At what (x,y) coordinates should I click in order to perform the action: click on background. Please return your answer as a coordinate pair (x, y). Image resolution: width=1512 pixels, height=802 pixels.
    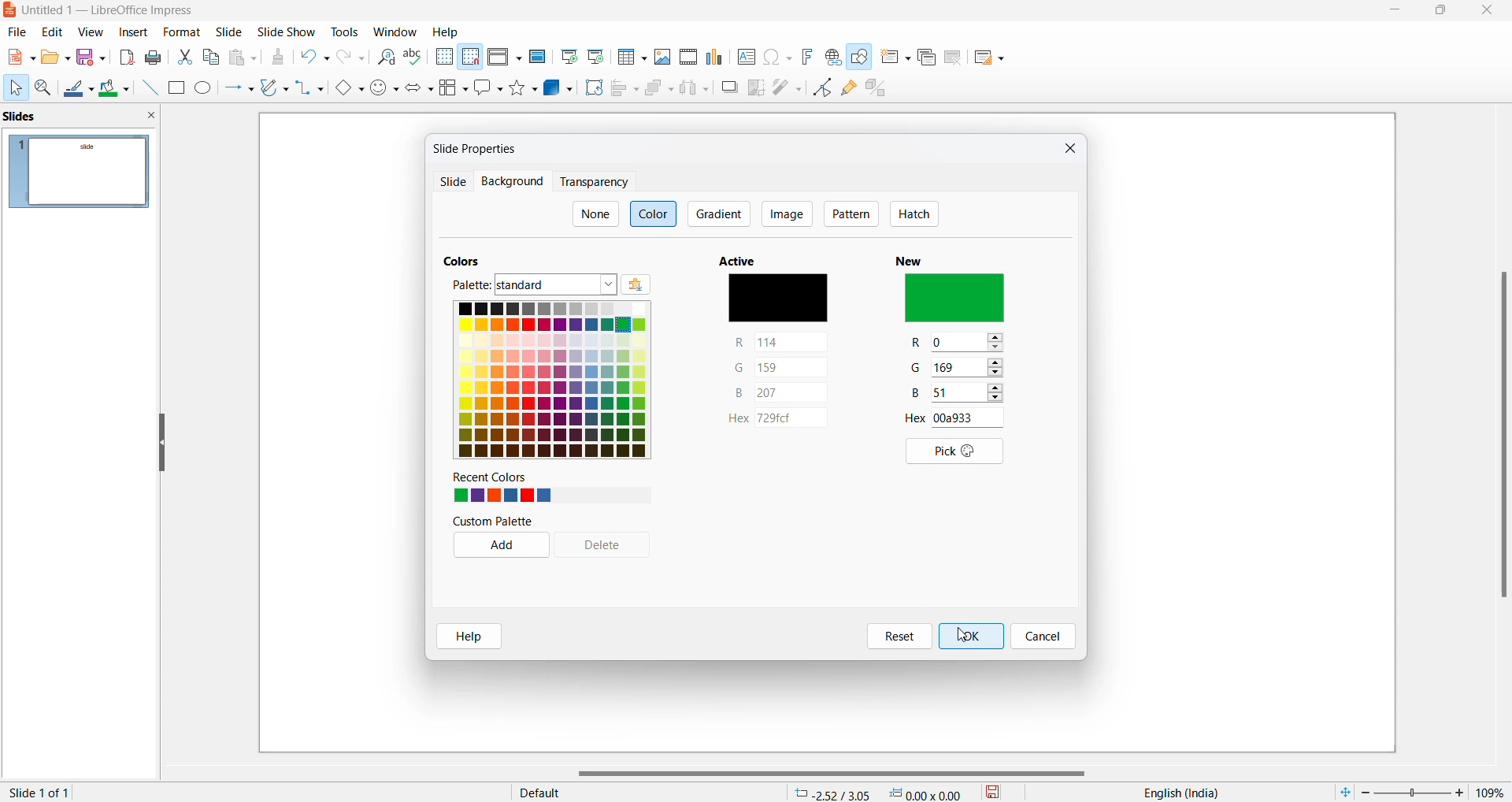
    Looking at the image, I should click on (509, 182).